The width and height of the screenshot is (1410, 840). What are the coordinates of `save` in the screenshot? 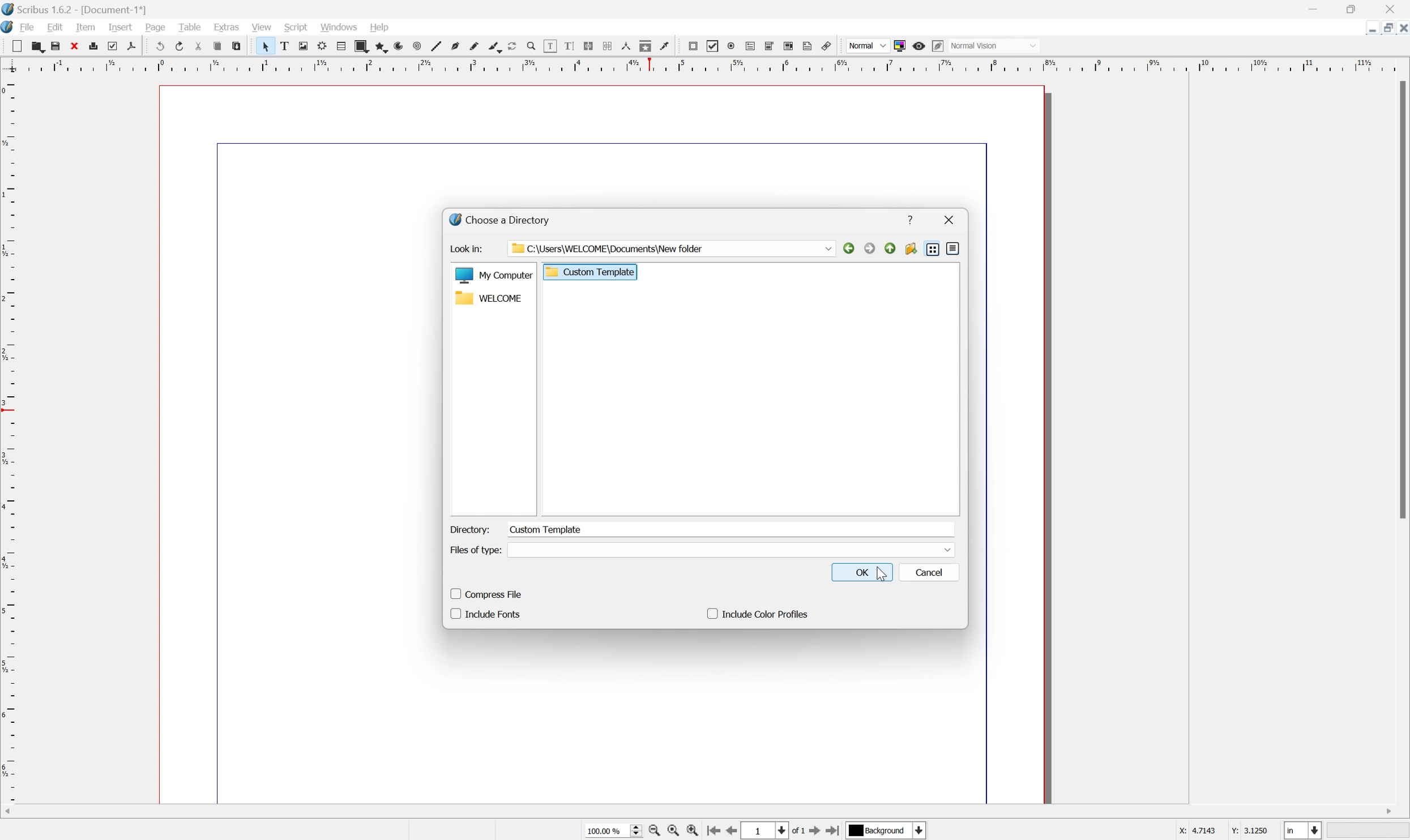 It's located at (55, 44).